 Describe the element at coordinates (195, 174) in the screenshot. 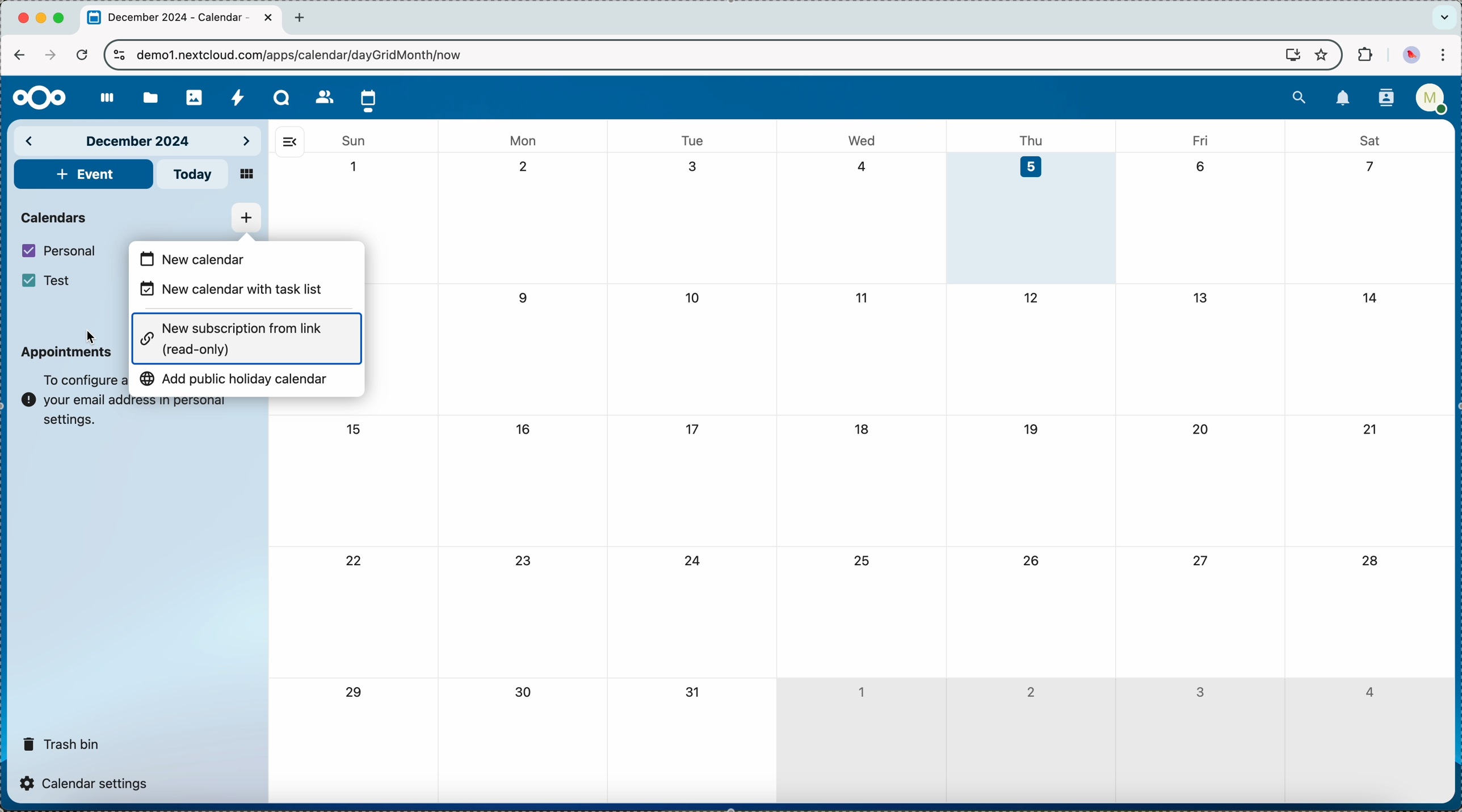

I see `today` at that location.